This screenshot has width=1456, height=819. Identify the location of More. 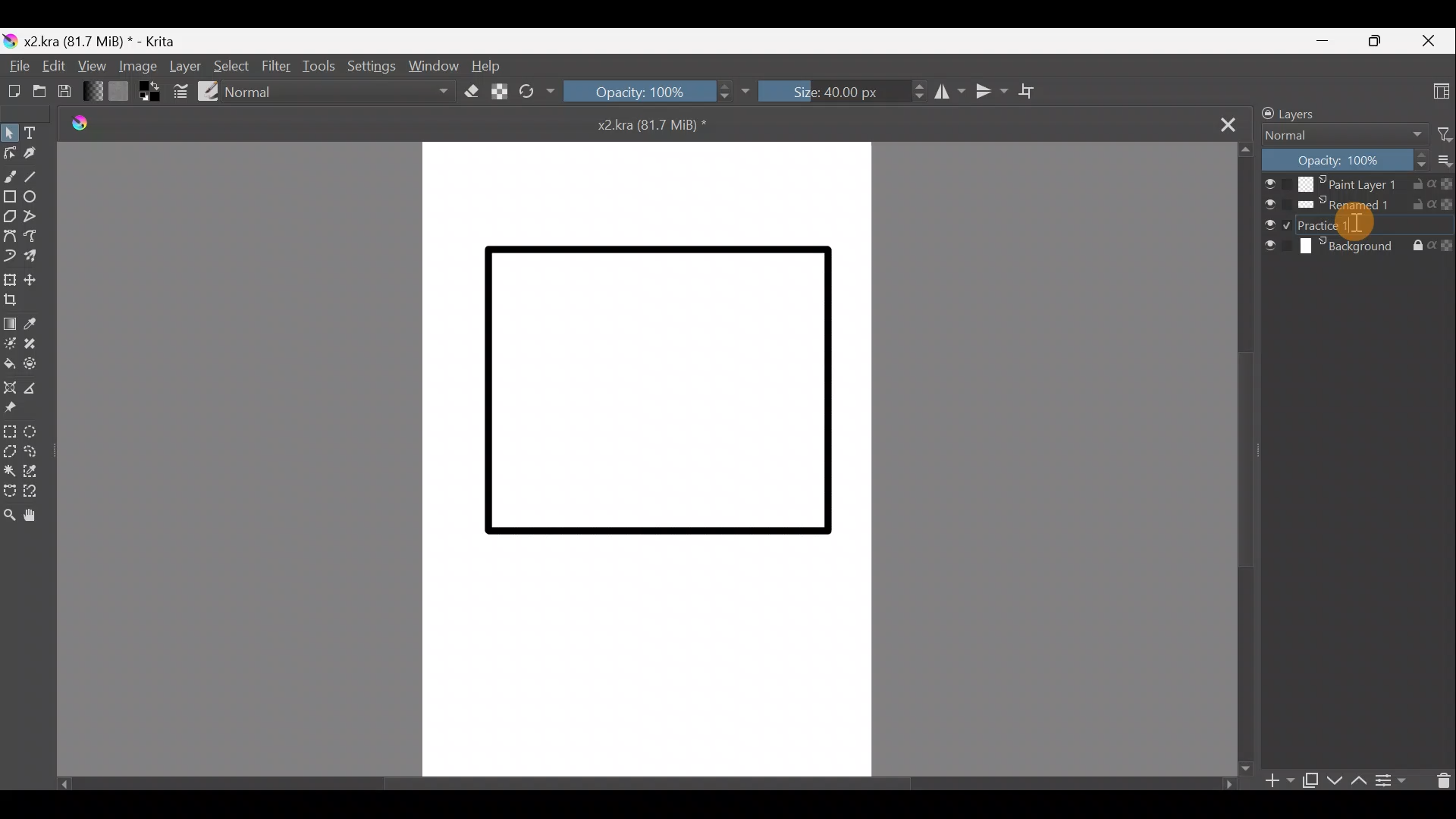
(1444, 161).